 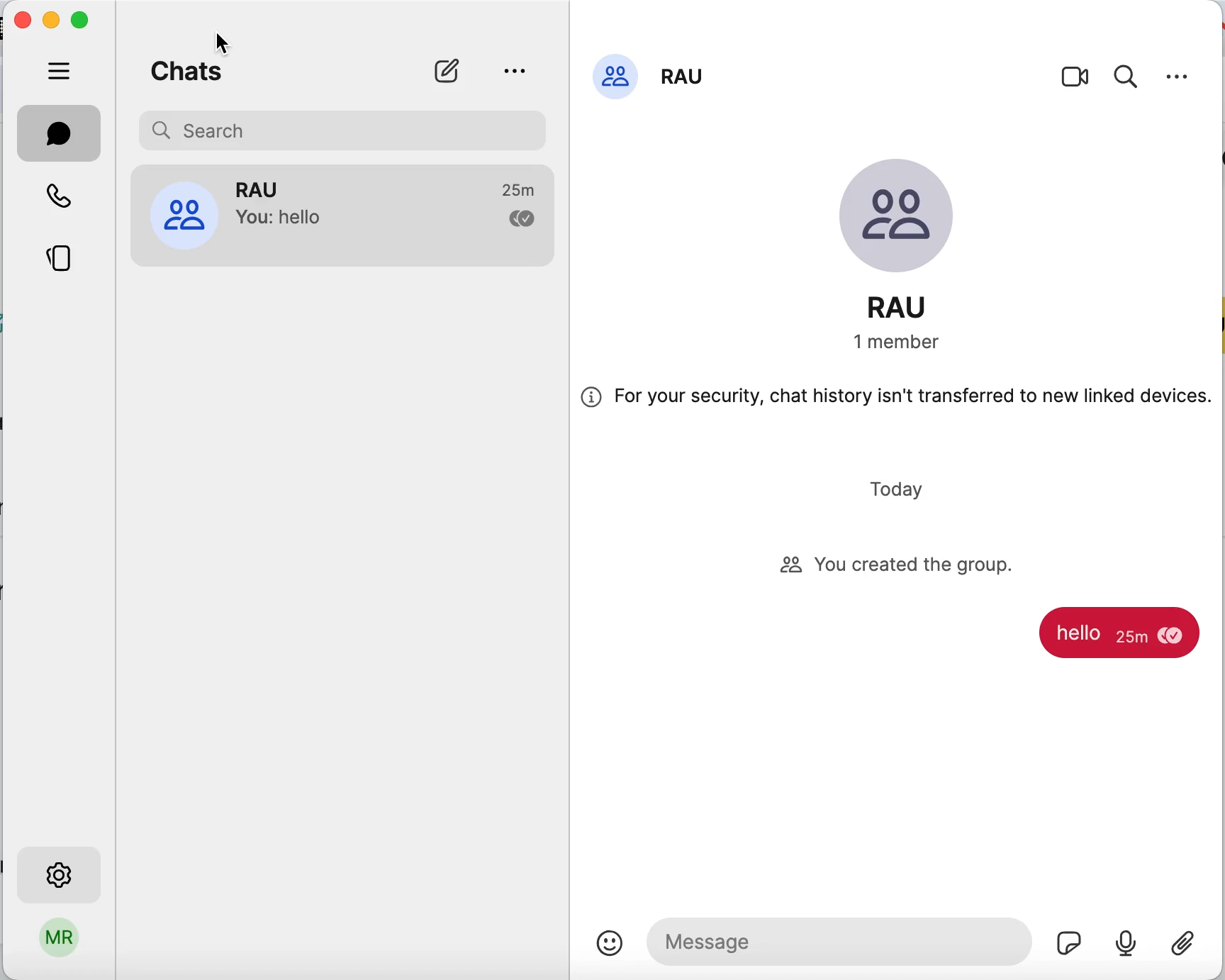 I want to click on group name, so click(x=907, y=308).